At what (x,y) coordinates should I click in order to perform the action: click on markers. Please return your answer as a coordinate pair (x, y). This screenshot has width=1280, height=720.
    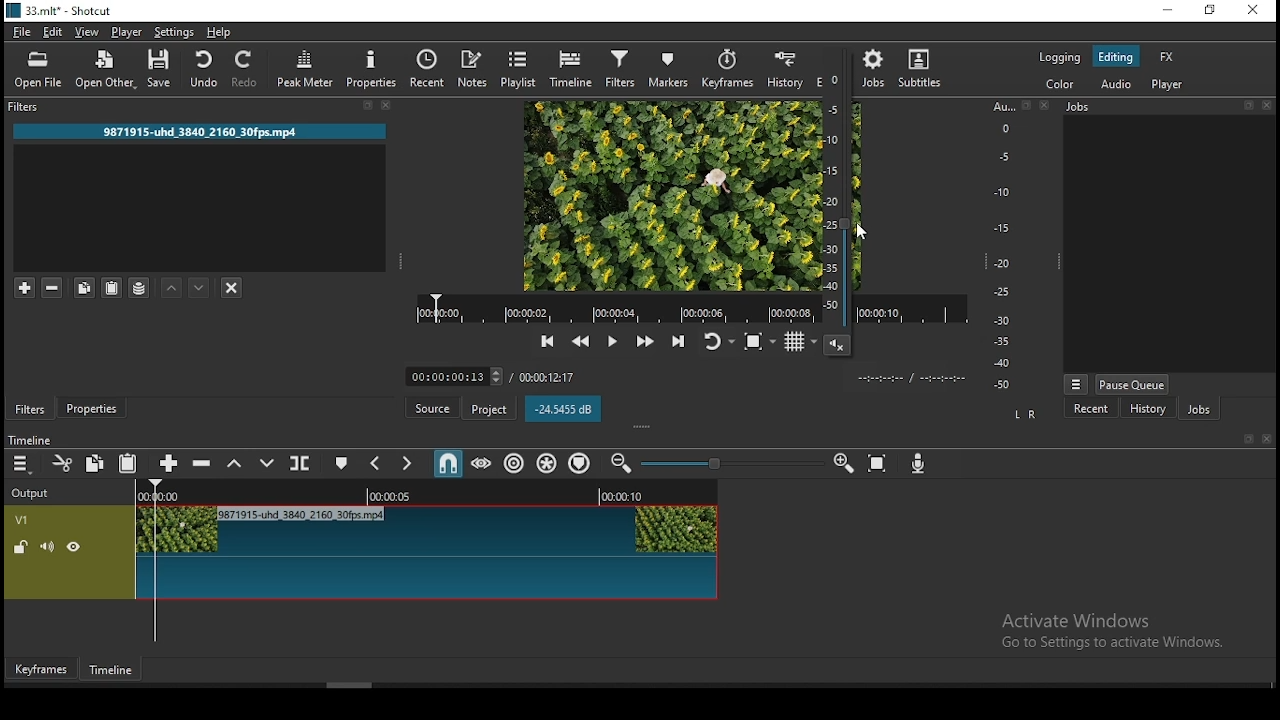
    Looking at the image, I should click on (667, 68).